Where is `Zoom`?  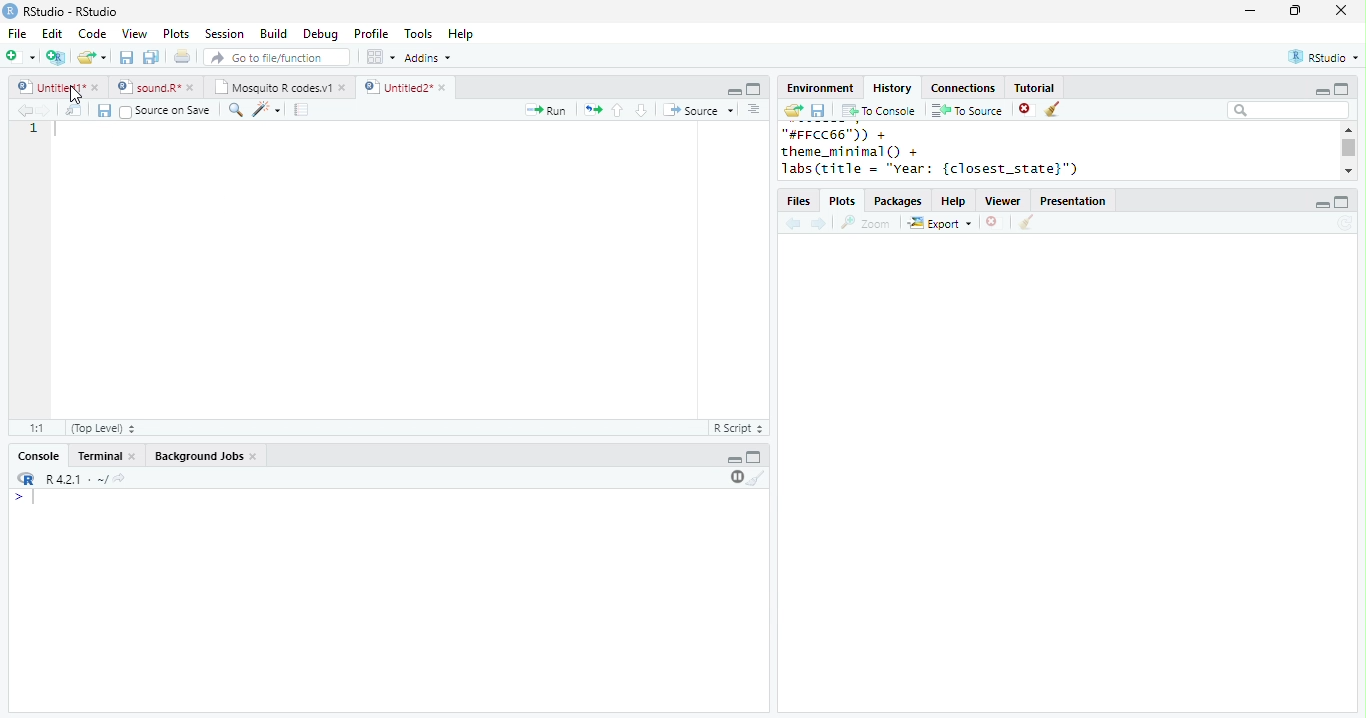
Zoom is located at coordinates (866, 223).